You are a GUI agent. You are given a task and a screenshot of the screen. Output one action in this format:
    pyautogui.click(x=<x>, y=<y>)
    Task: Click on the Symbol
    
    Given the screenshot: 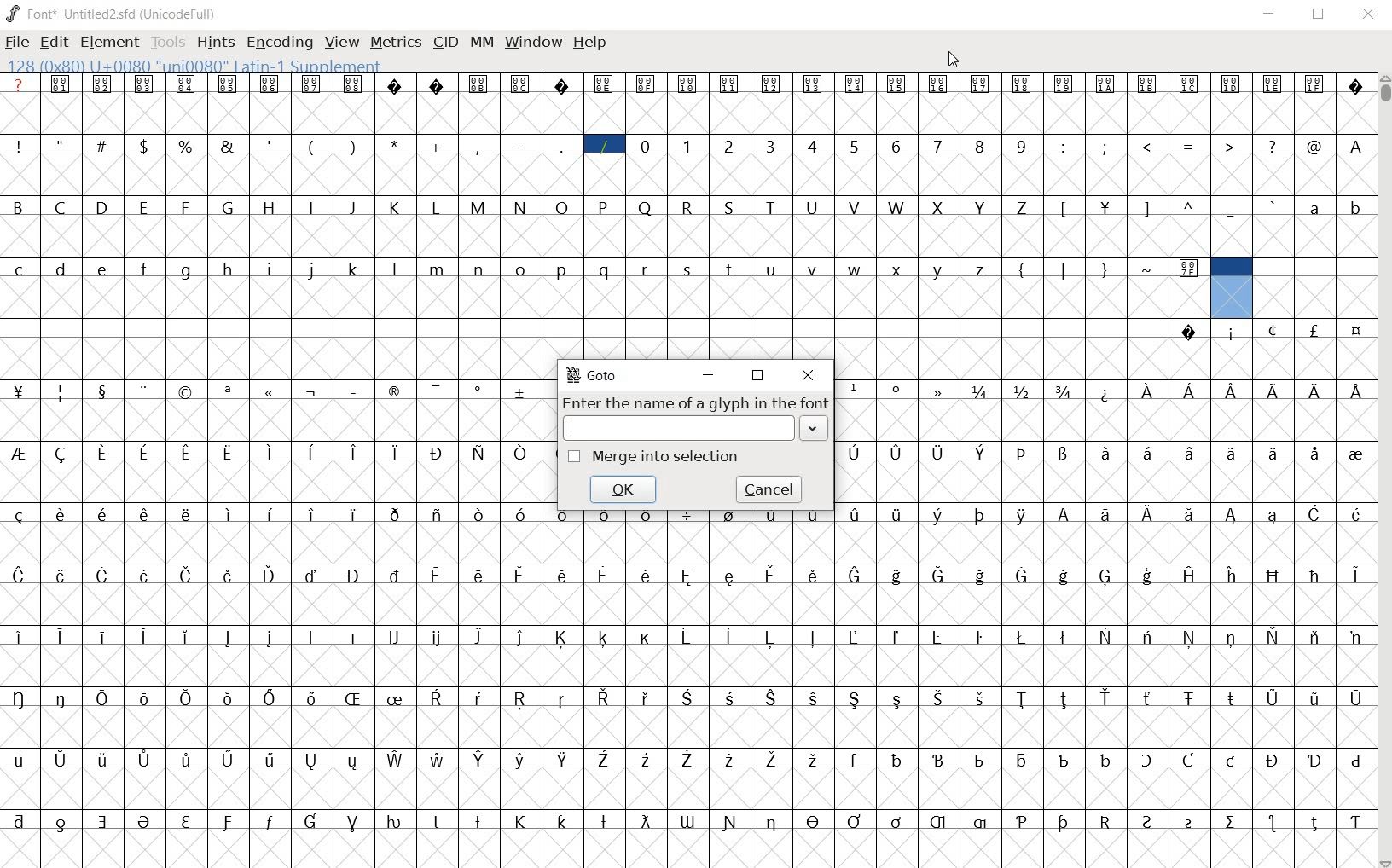 What is the action you would take?
    pyautogui.click(x=1274, y=390)
    